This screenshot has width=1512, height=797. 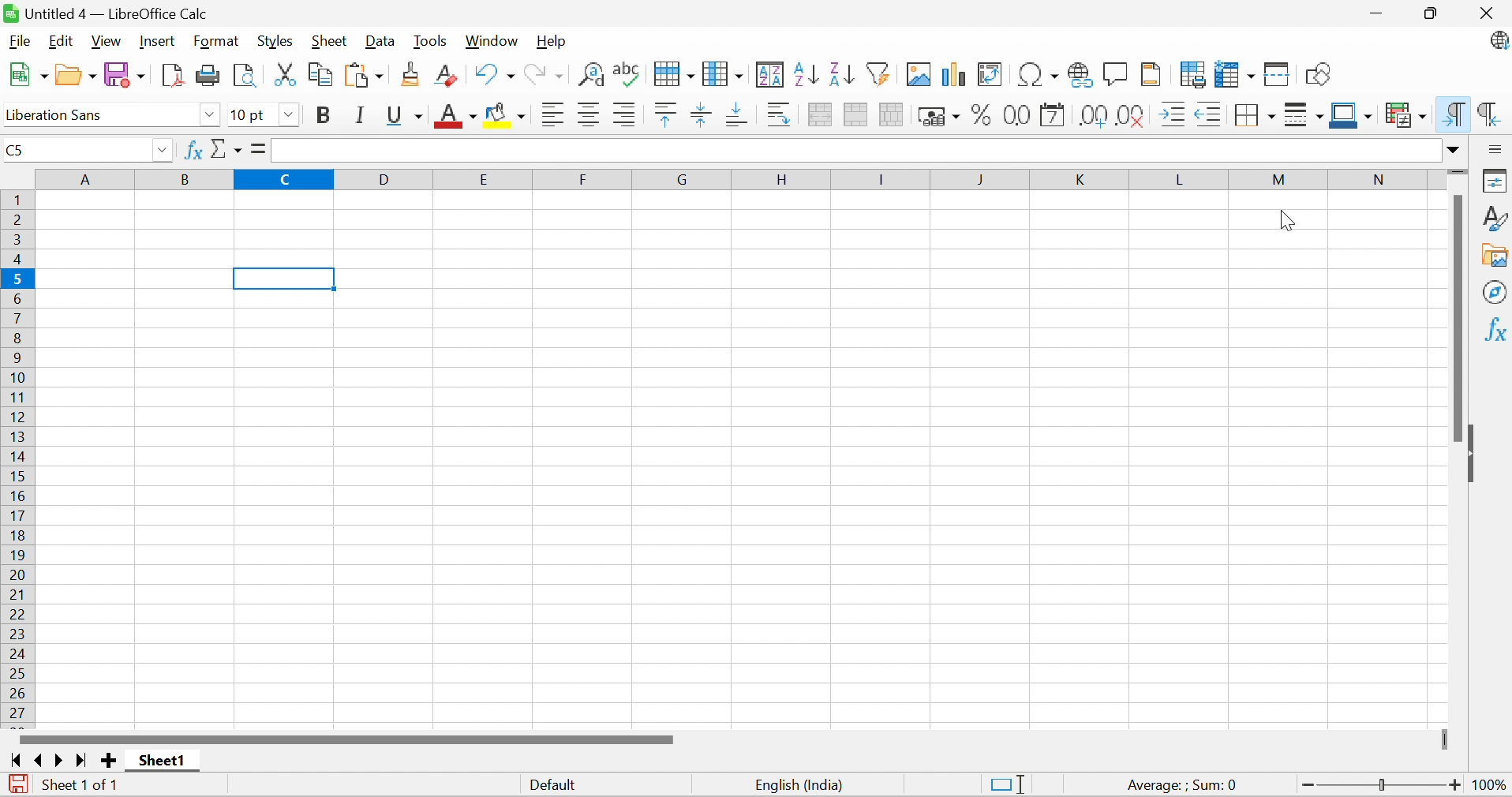 I want to click on Drop down, so click(x=210, y=115).